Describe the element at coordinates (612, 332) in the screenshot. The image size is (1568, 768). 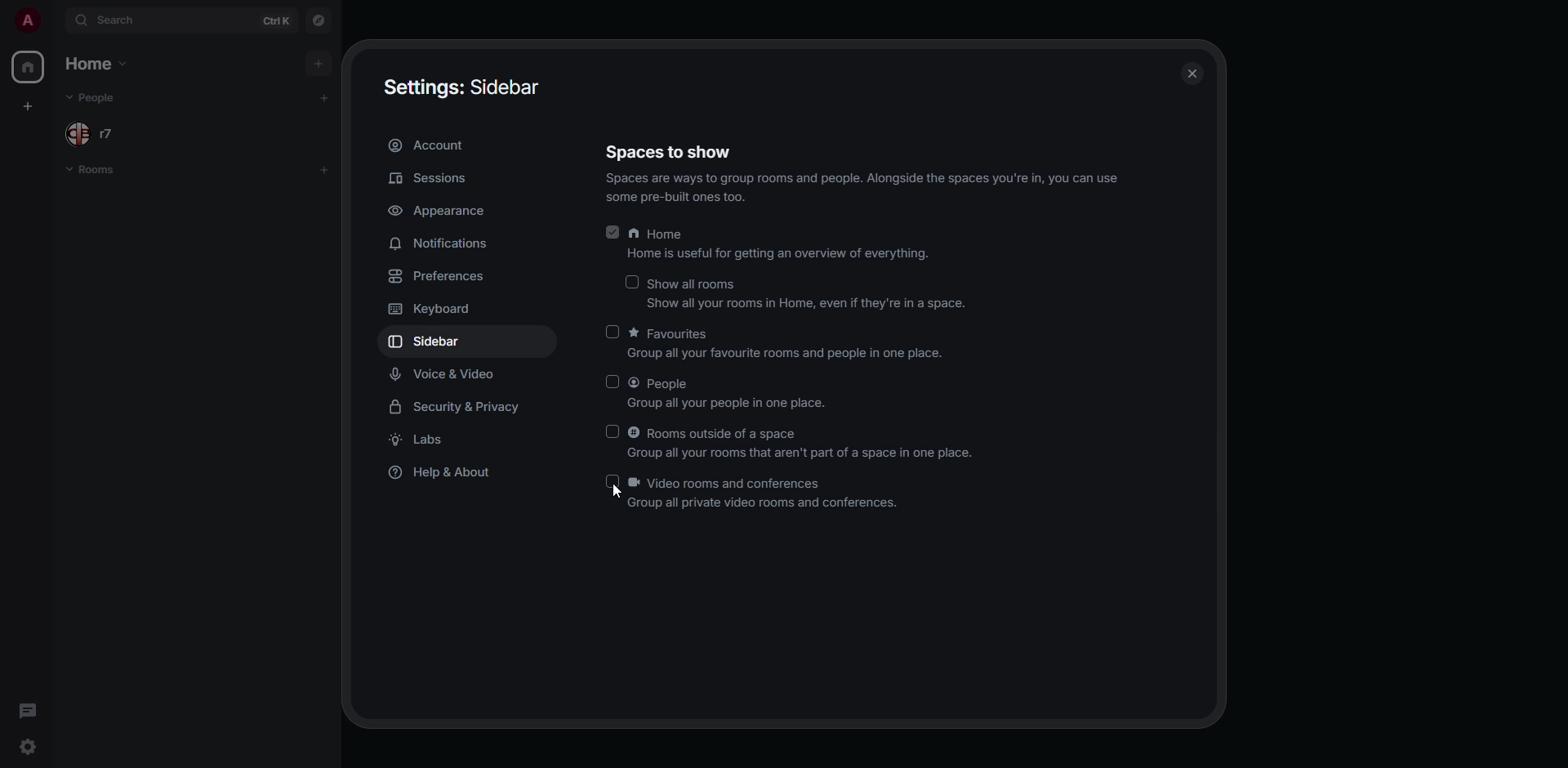
I see `click to enable` at that location.